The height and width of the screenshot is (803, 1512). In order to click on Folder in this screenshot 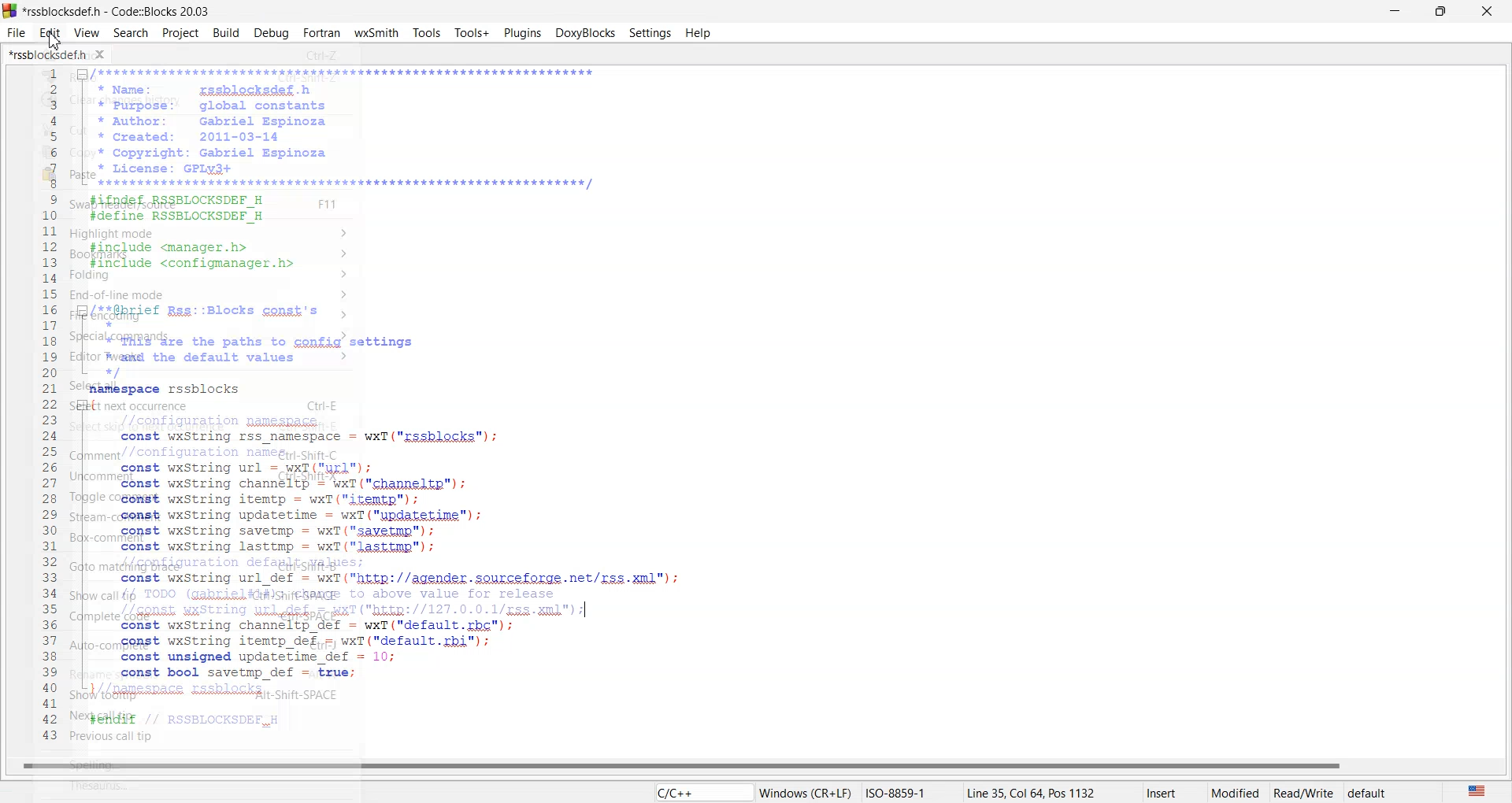, I will do `click(56, 55)`.